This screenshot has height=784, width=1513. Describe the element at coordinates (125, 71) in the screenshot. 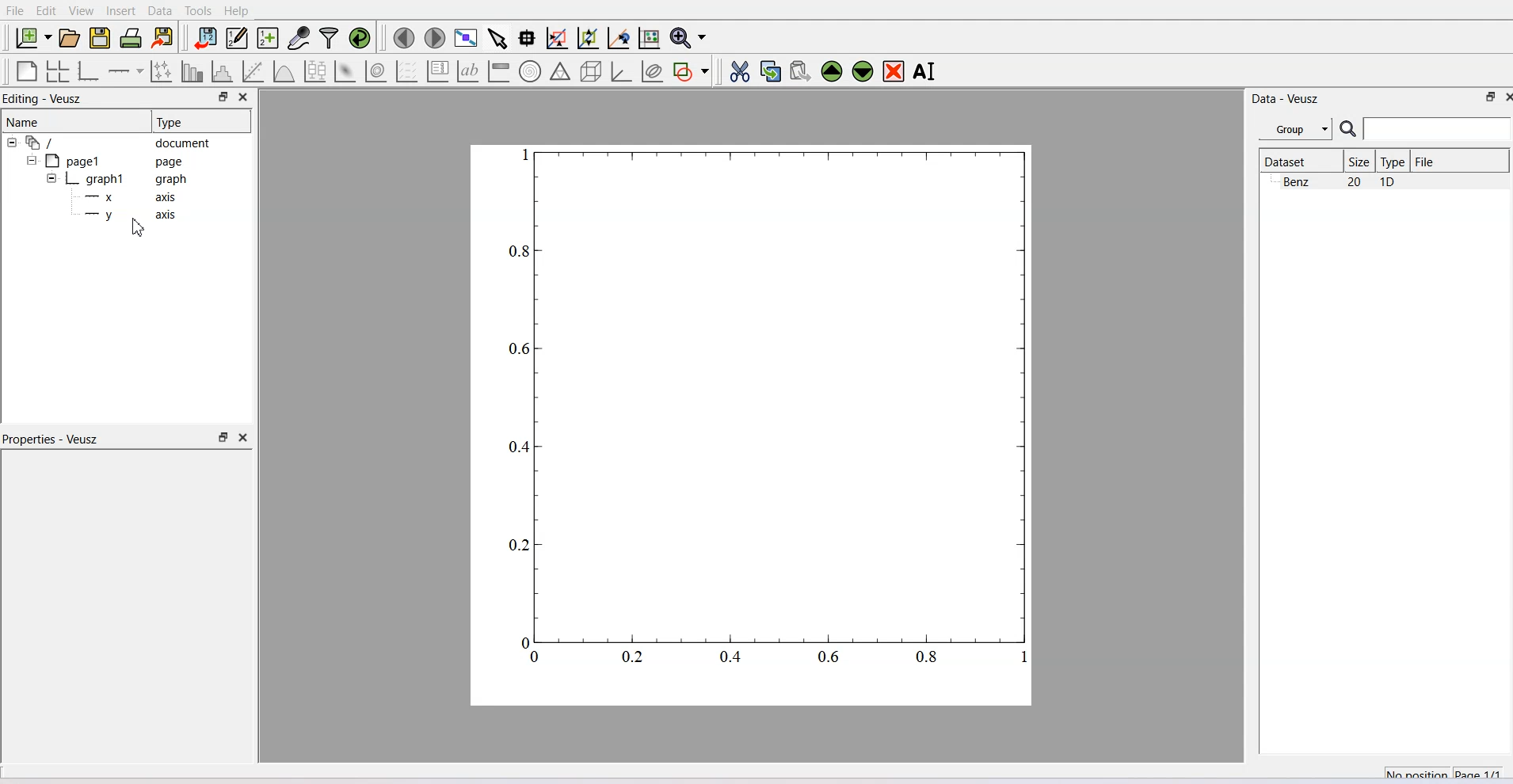

I see `Add an axis to the Plot` at that location.